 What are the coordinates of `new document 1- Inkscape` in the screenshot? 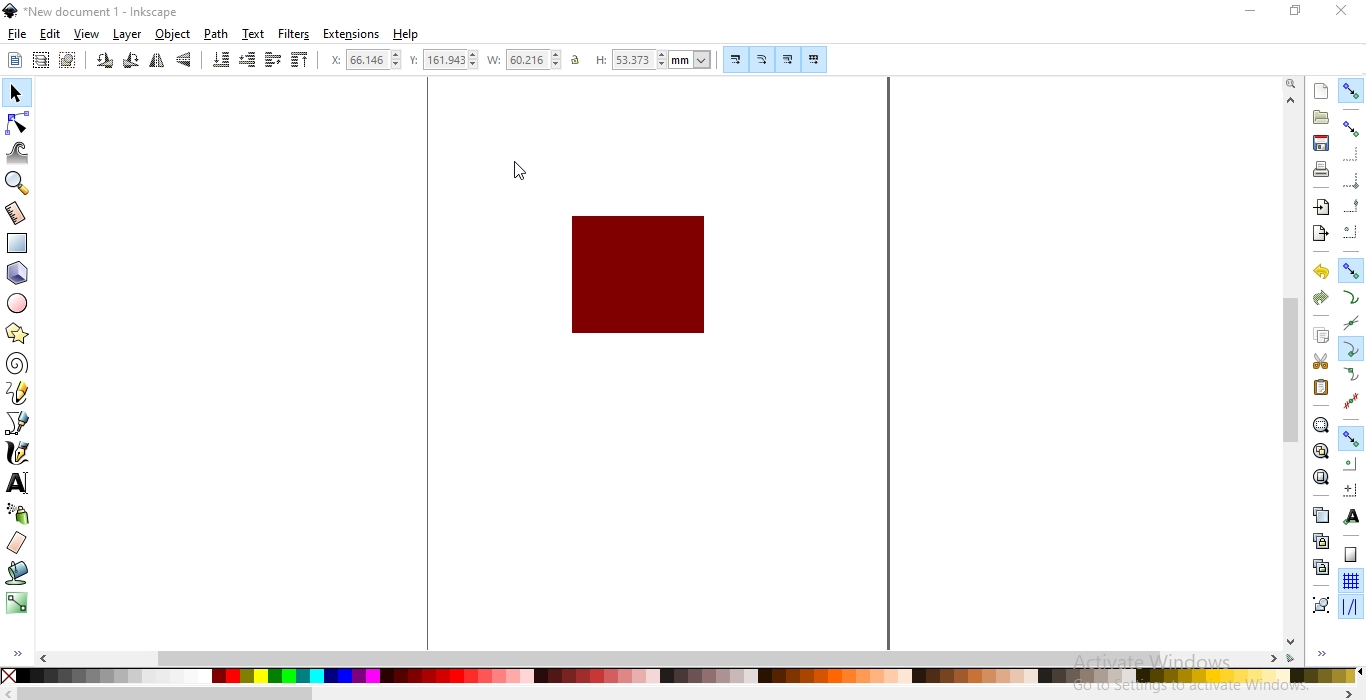 It's located at (98, 12).